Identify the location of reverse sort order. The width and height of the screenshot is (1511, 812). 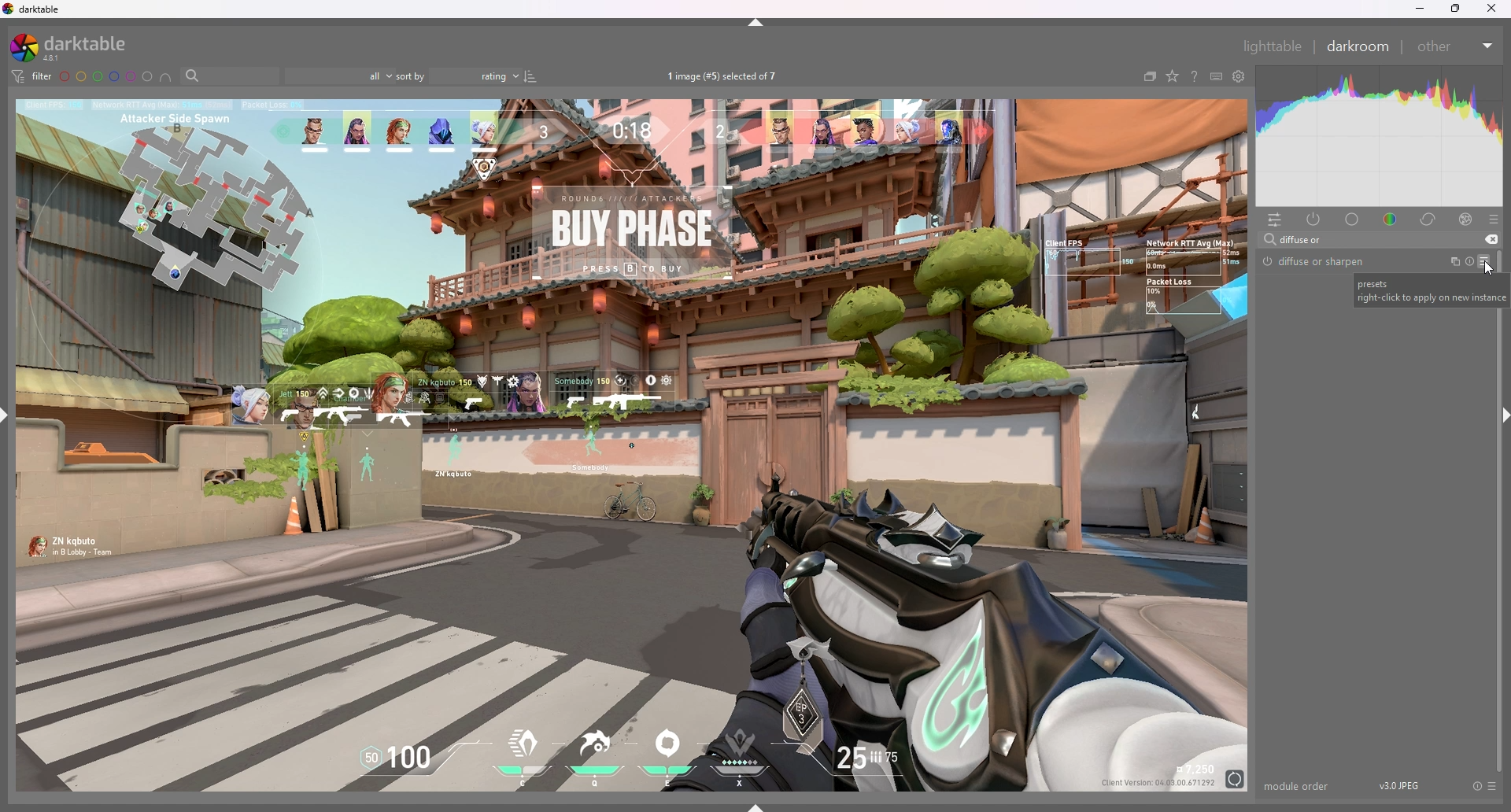
(532, 77).